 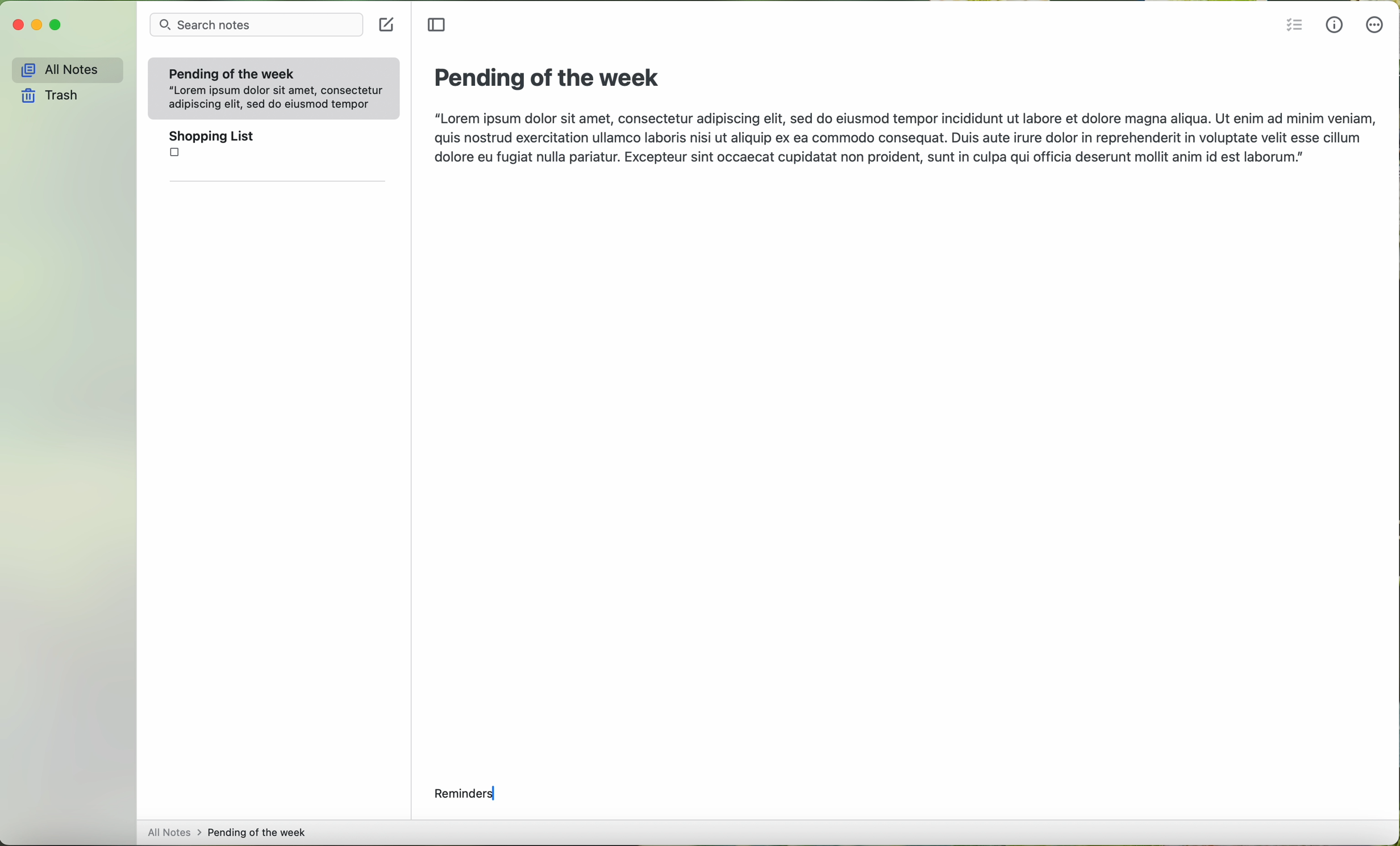 I want to click on “Lorem ipsum dolor sit amet, consectetur adipiscing elit, sed do eiusmod tempor incididunt ut labore et dolore magna aliqua. Ut enim ad minim veniam,
quis nostrud exercitation ullamco laboris nisi ut aliquip ex ea commodo consequat. Duis aute irure dolor in reprehenderit in voluptate velit esse cillum
dolore eu fugiat nulla pariatur. Excepteur sint occaecat cupidatat non proident, sunt in culpa qui officia deserunt mollit anim id est laborum.”, so click(x=902, y=140).